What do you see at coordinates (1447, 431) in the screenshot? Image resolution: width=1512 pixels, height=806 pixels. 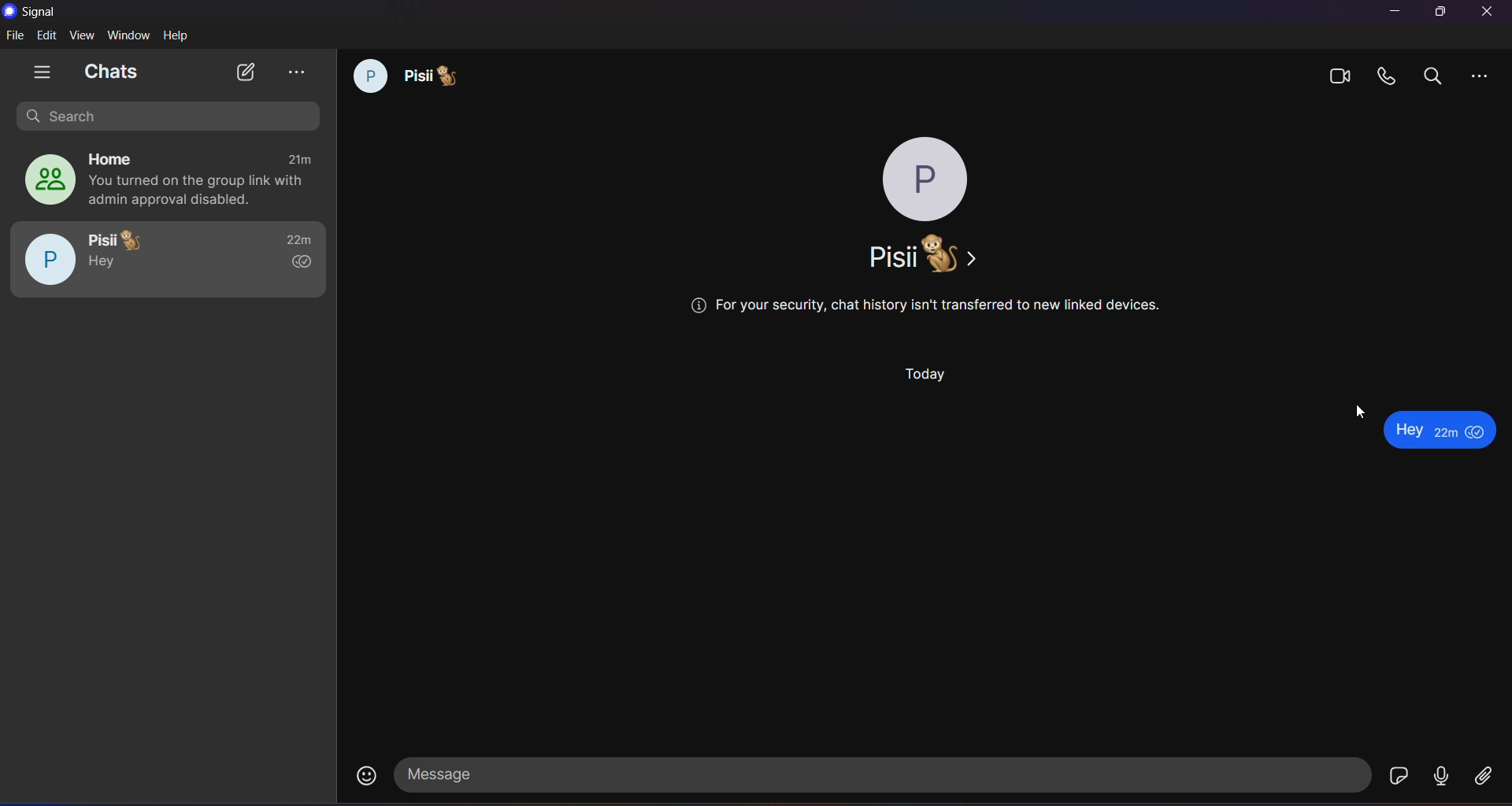 I see `emoji is removed` at bounding box center [1447, 431].